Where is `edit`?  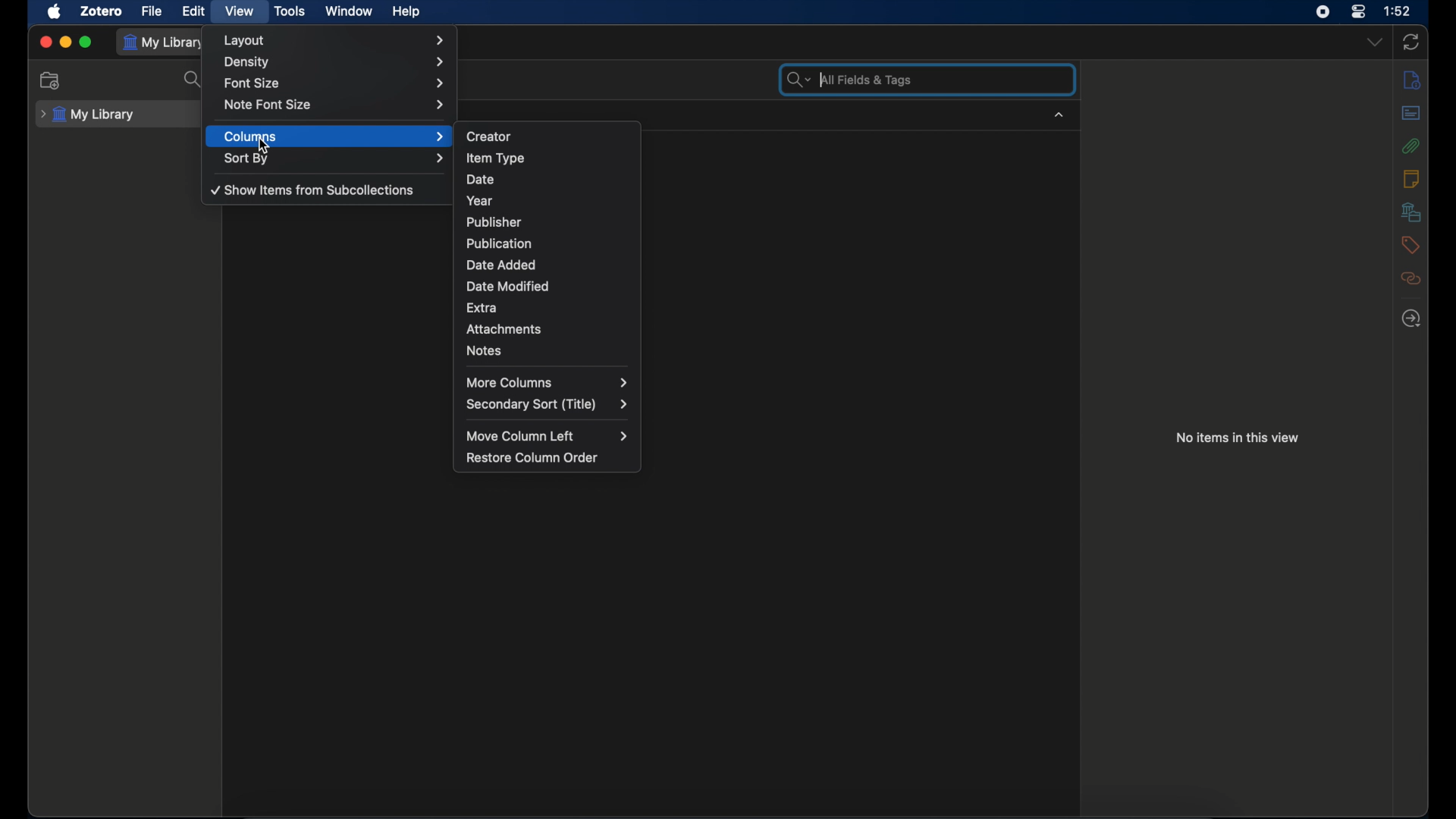 edit is located at coordinates (196, 12).